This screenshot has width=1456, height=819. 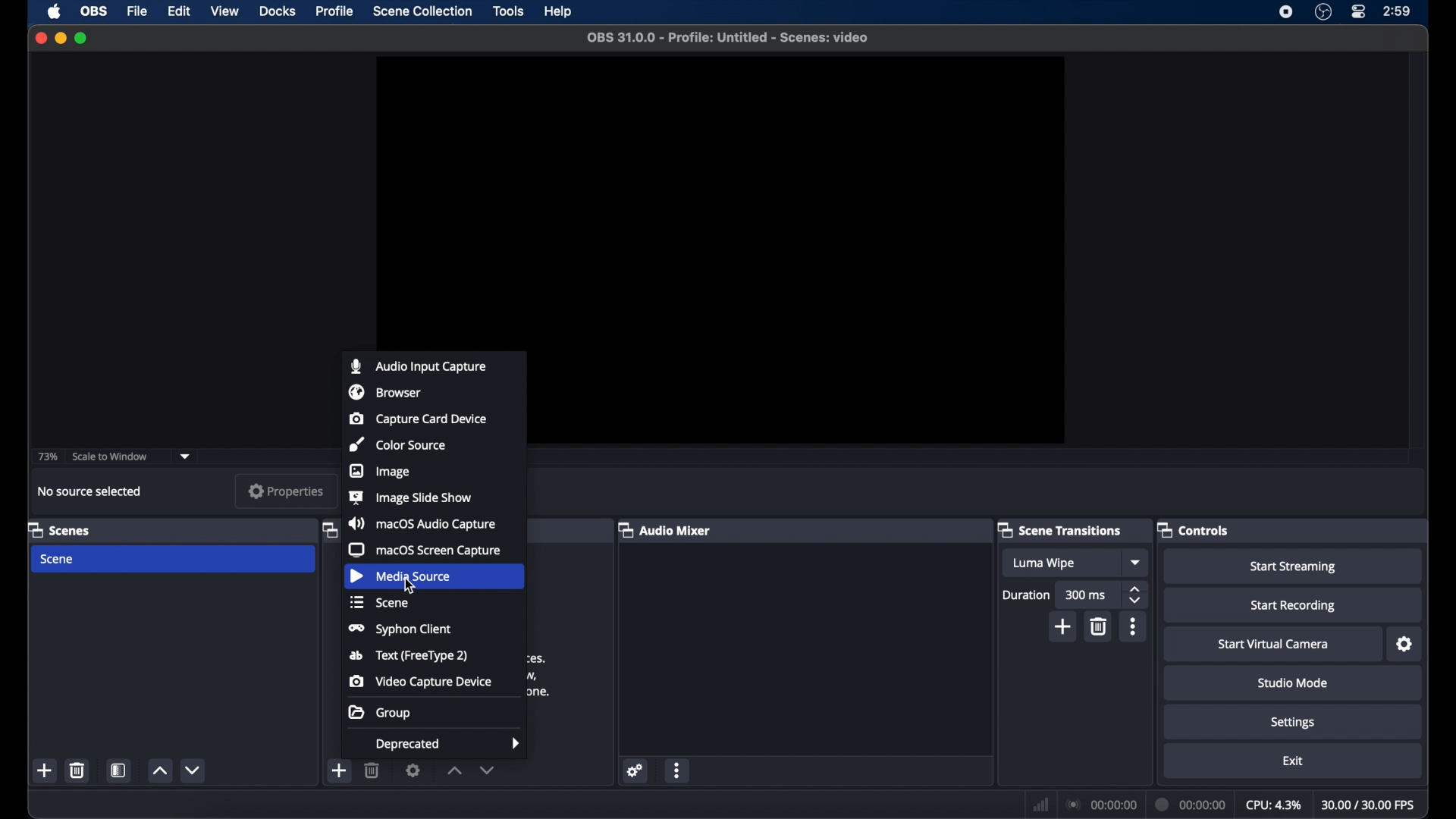 What do you see at coordinates (81, 38) in the screenshot?
I see `maximize` at bounding box center [81, 38].